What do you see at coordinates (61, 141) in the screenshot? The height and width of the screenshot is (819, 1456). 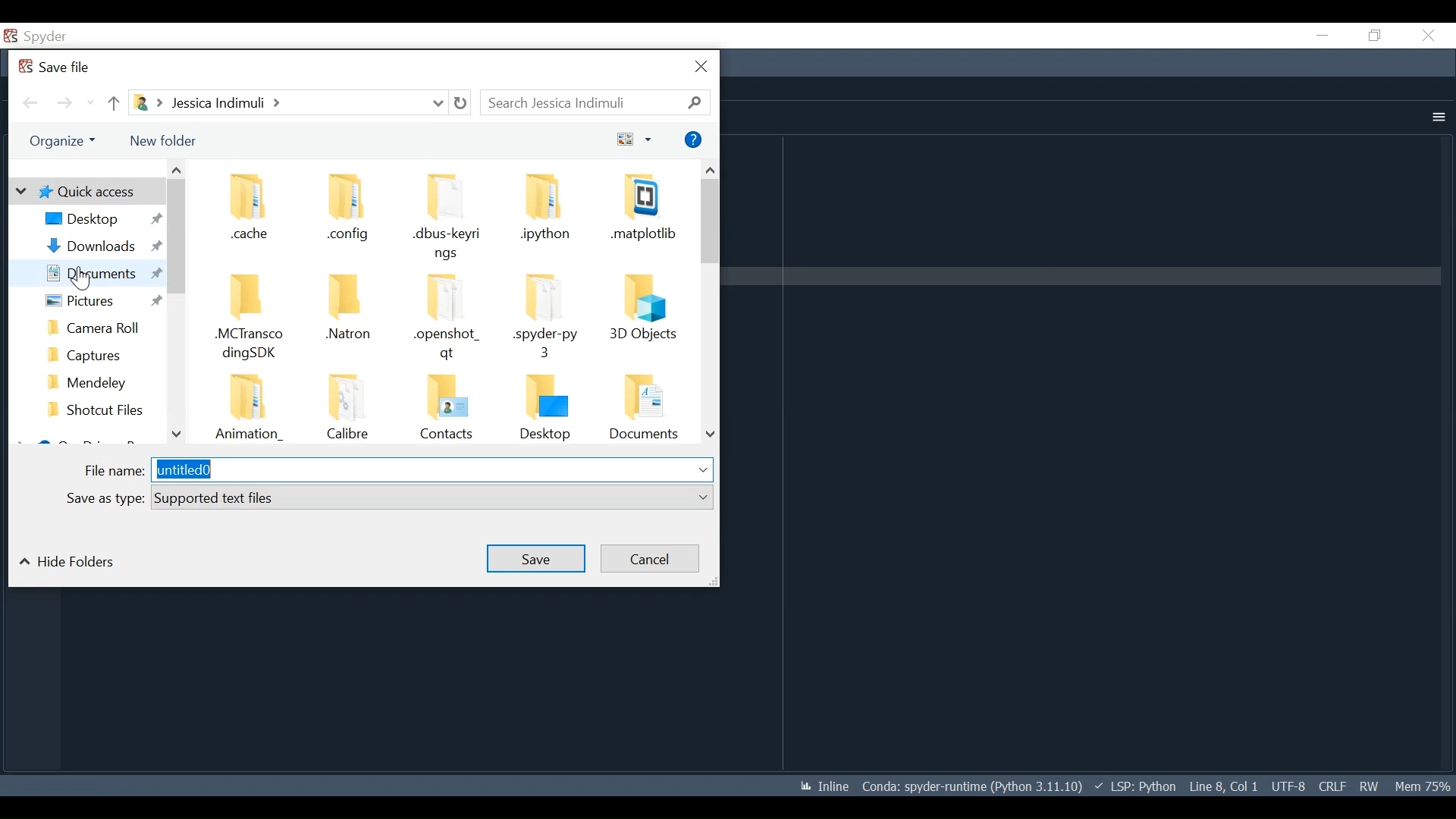 I see `Organize` at bounding box center [61, 141].